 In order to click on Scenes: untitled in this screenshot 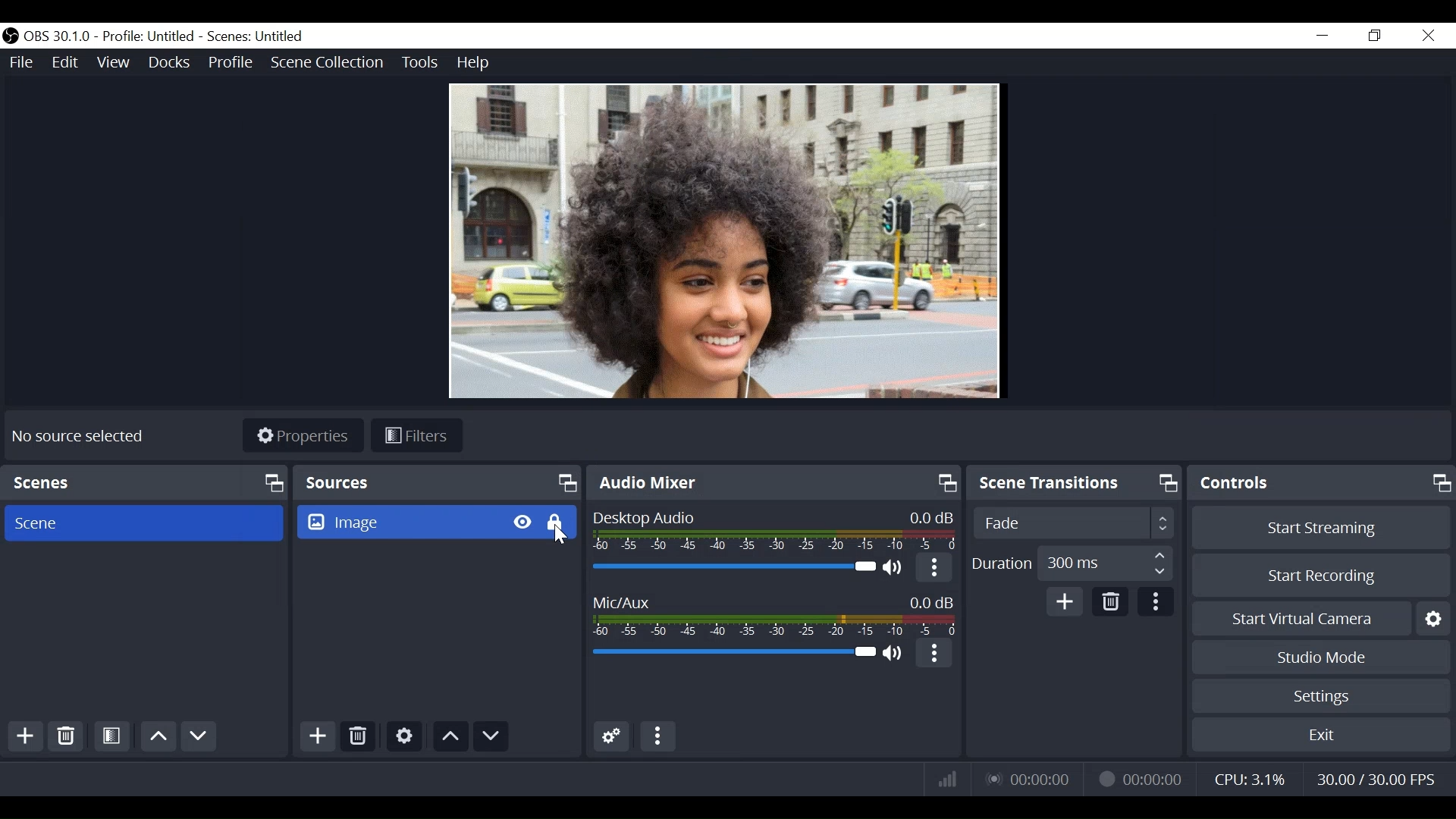, I will do `click(258, 36)`.